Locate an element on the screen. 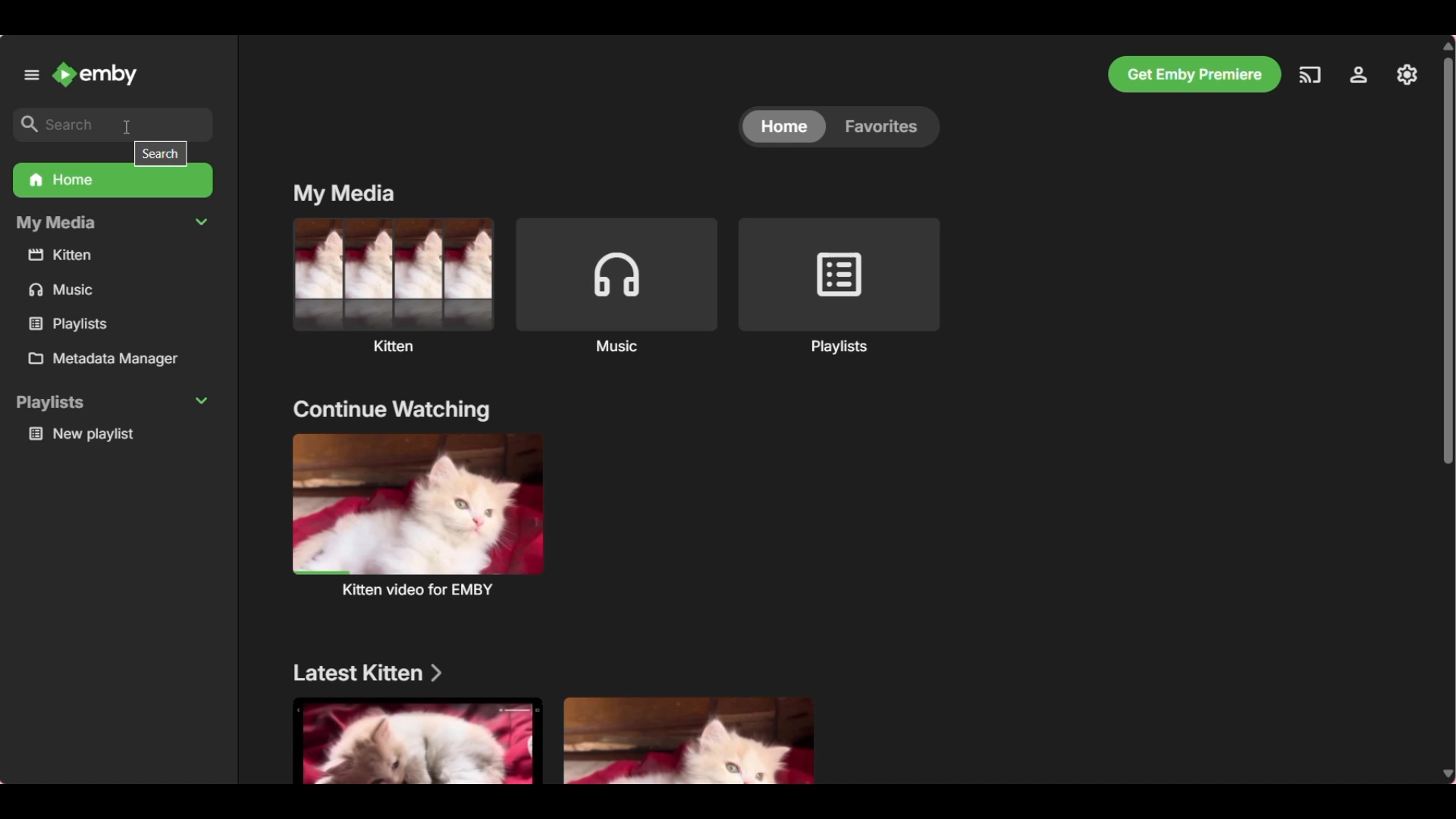 This screenshot has width=1456, height=819. Media under section mentioned above is located at coordinates (689, 739).